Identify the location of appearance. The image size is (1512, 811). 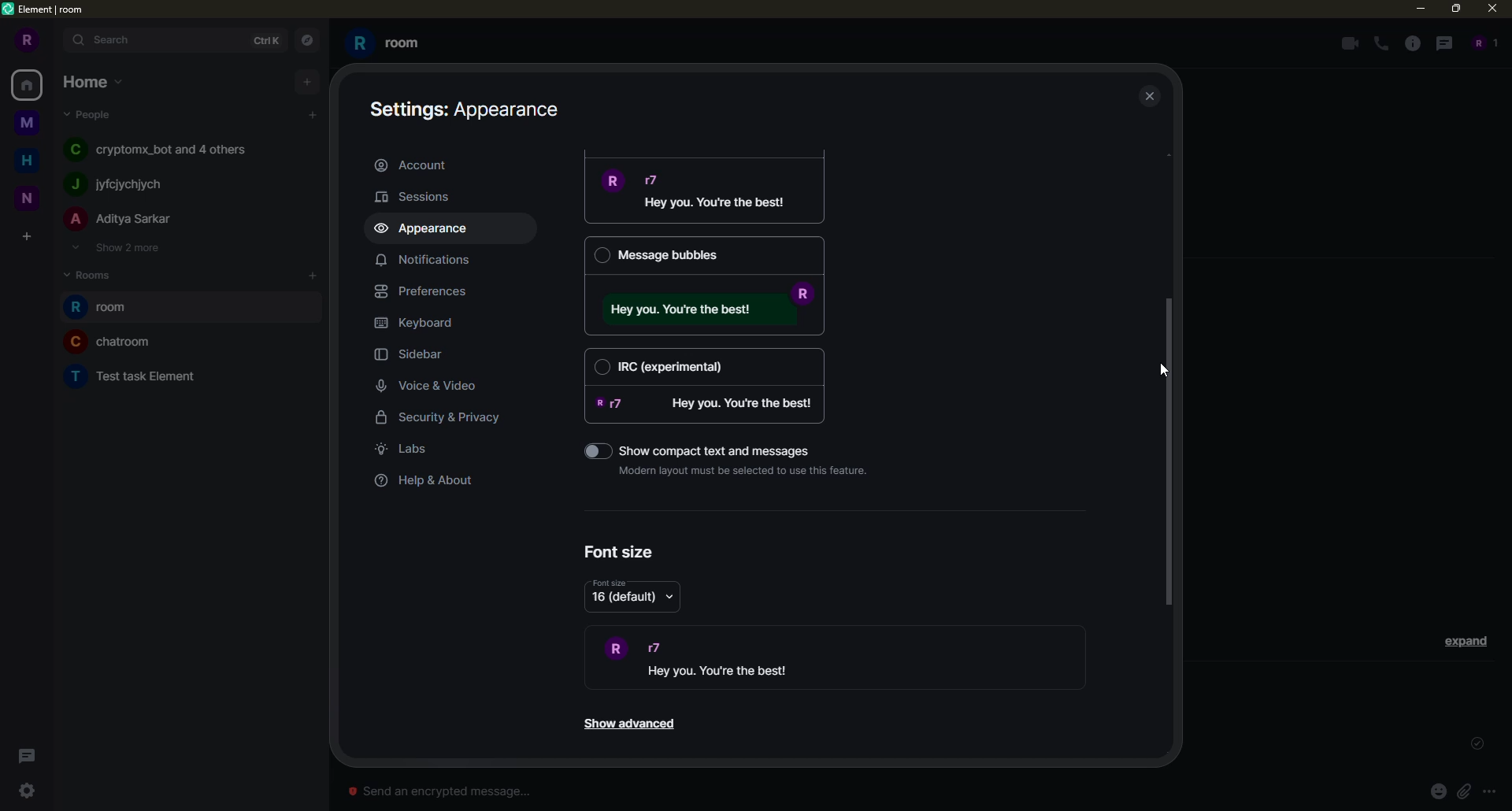
(469, 107).